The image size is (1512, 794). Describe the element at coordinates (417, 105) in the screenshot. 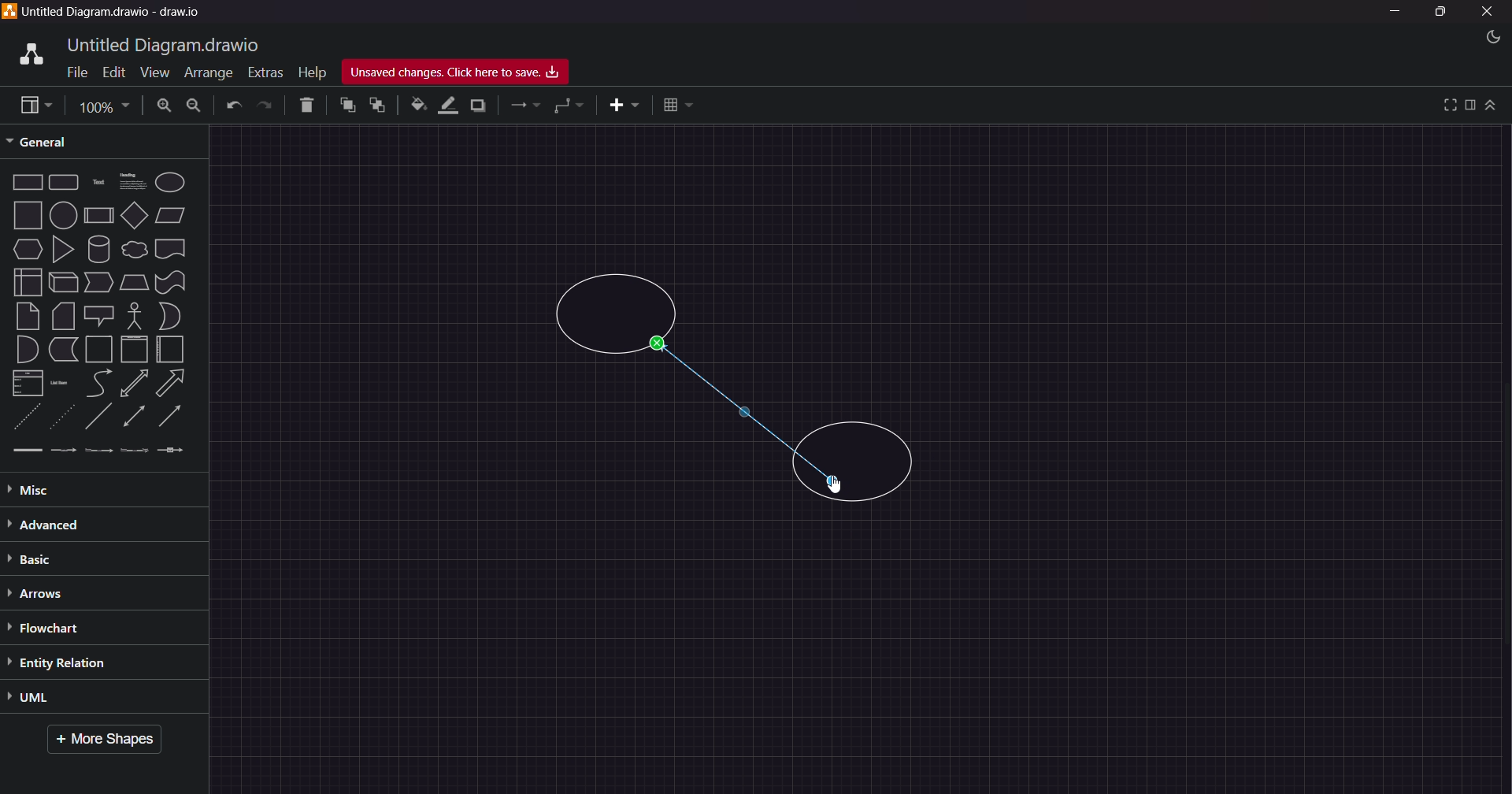

I see `fill color` at that location.